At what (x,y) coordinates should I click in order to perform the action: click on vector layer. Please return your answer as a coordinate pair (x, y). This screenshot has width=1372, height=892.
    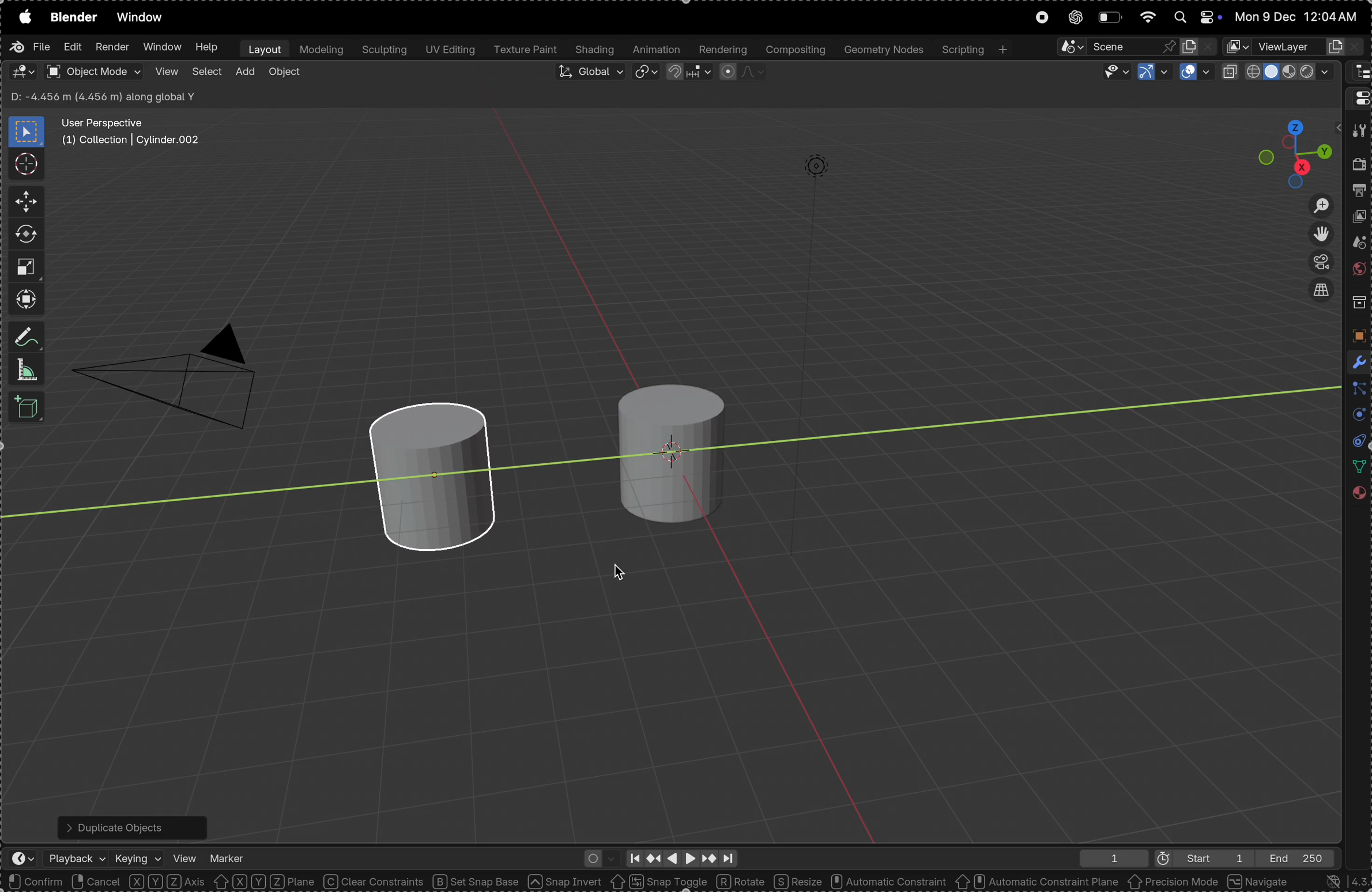
    Looking at the image, I should click on (1294, 47).